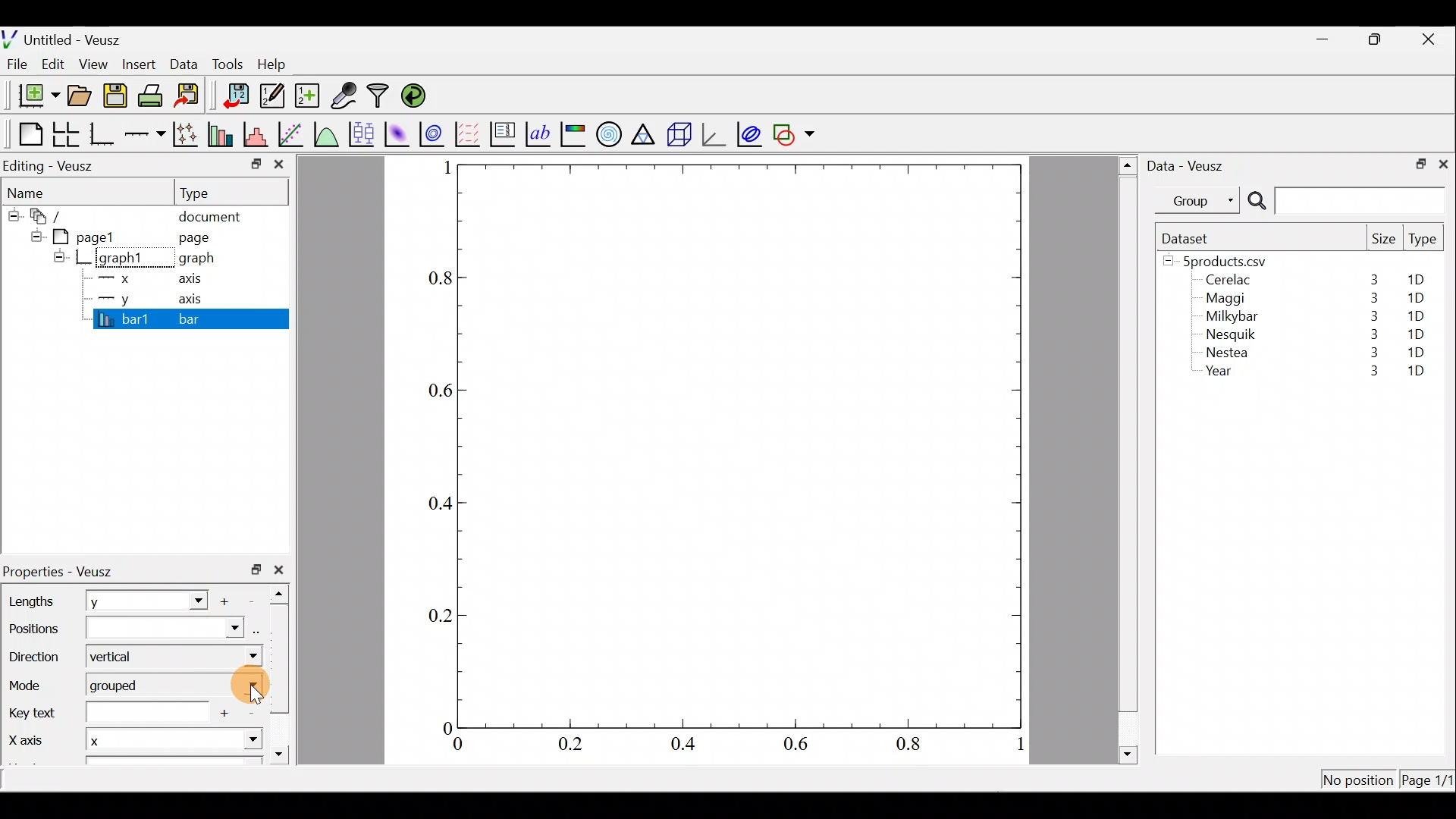 The height and width of the screenshot is (819, 1456). What do you see at coordinates (645, 132) in the screenshot?
I see `Ternary graph` at bounding box center [645, 132].